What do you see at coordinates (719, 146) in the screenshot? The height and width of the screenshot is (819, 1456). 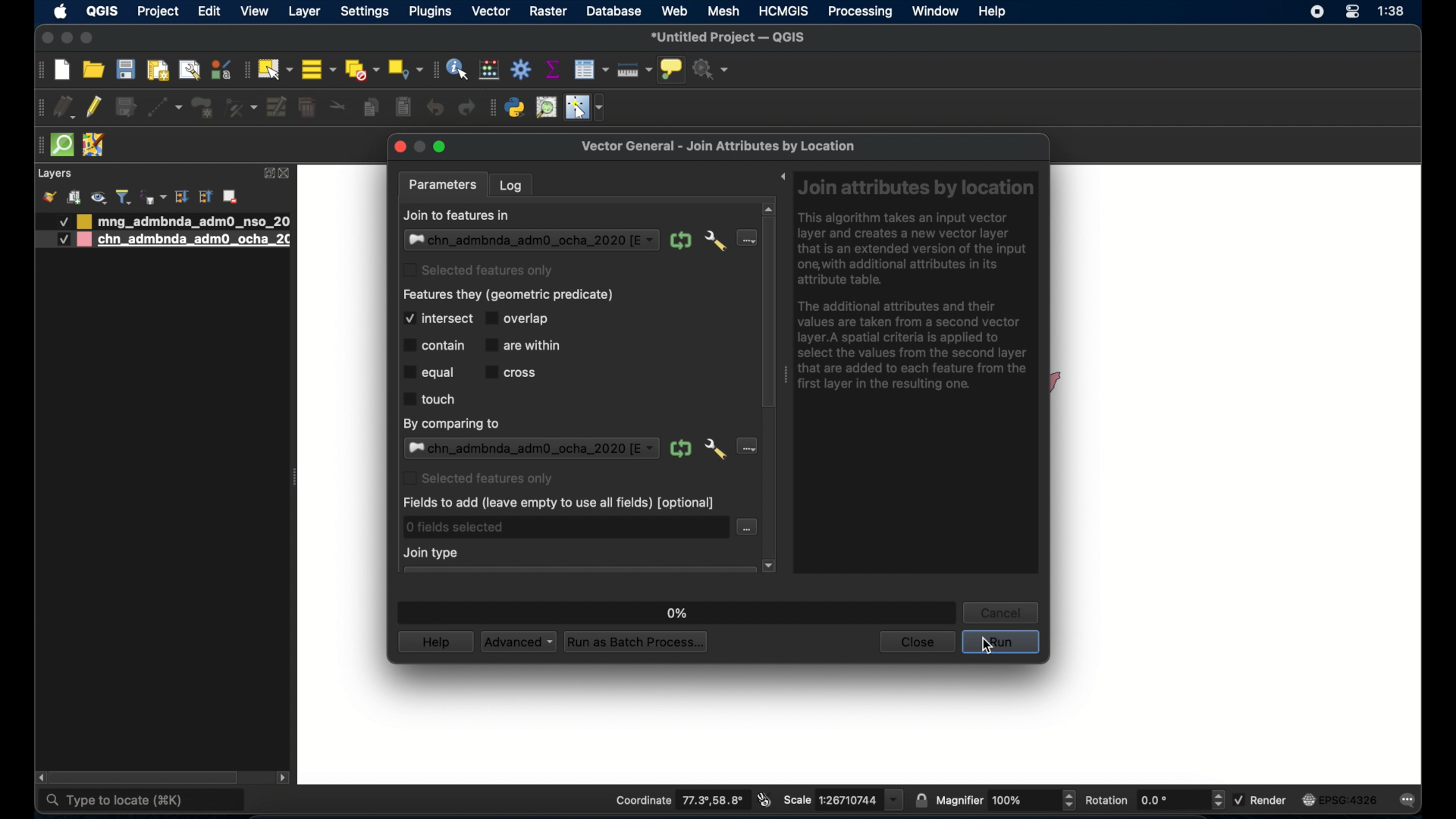 I see `vector general - join attributes by location` at bounding box center [719, 146].